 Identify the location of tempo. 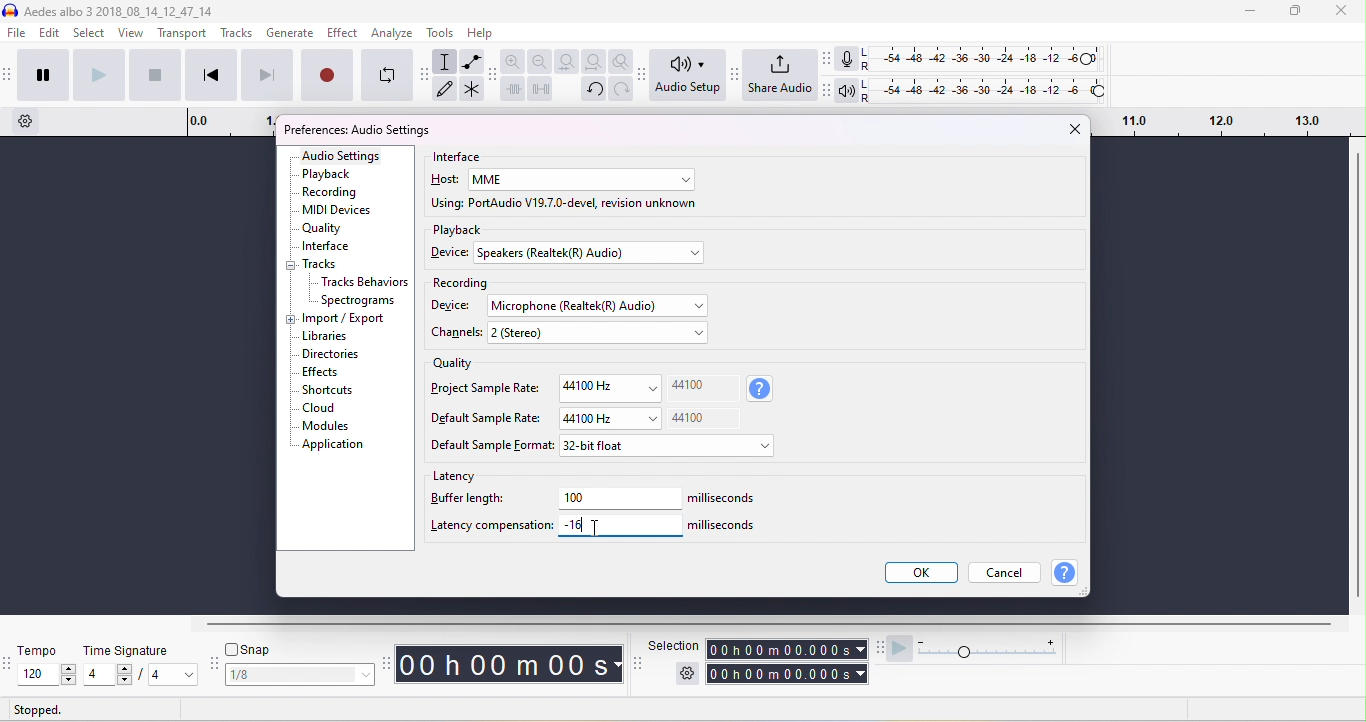
(40, 652).